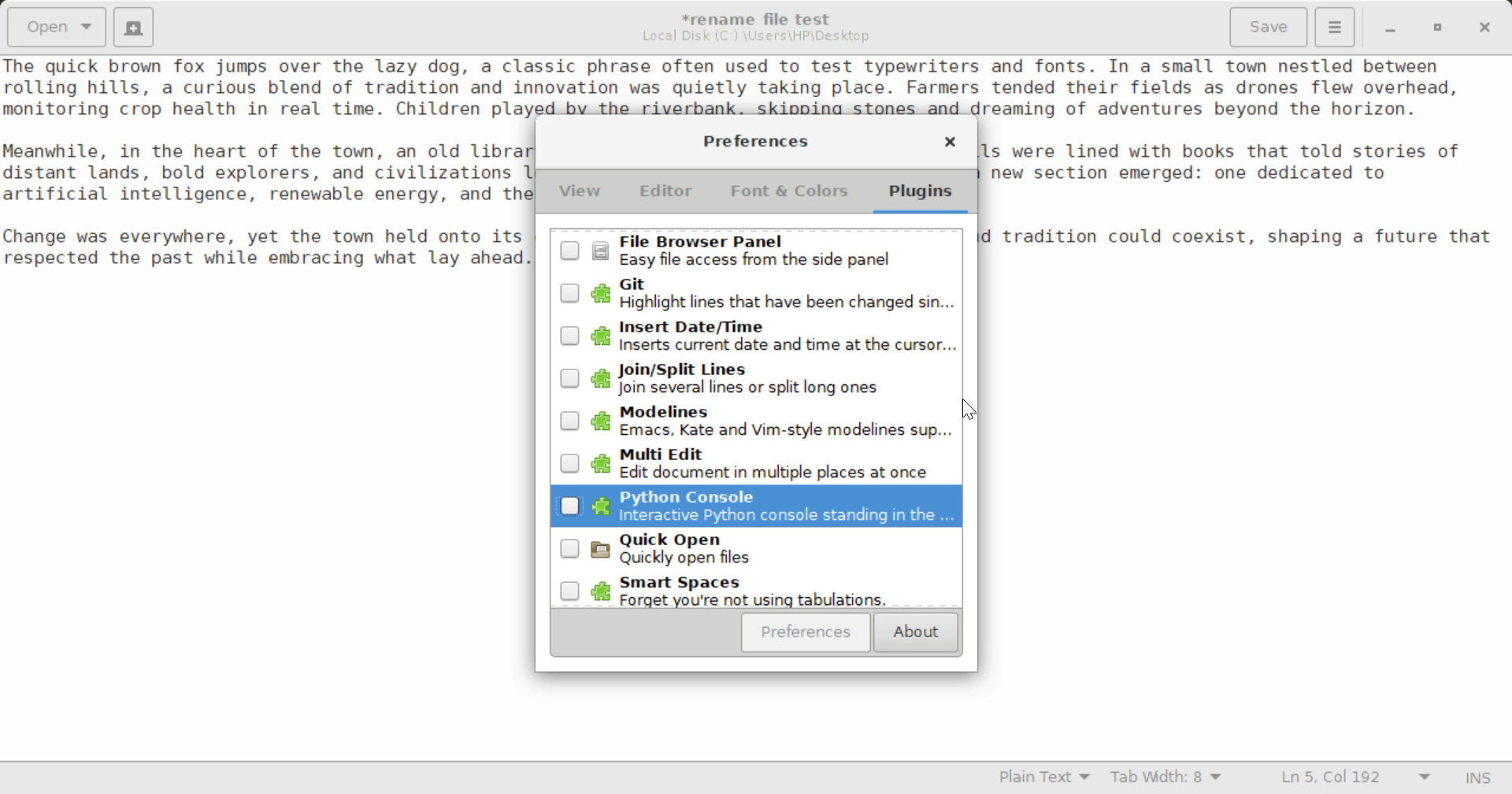 Image resolution: width=1512 pixels, height=794 pixels. I want to click on Selected Language, so click(1045, 779).